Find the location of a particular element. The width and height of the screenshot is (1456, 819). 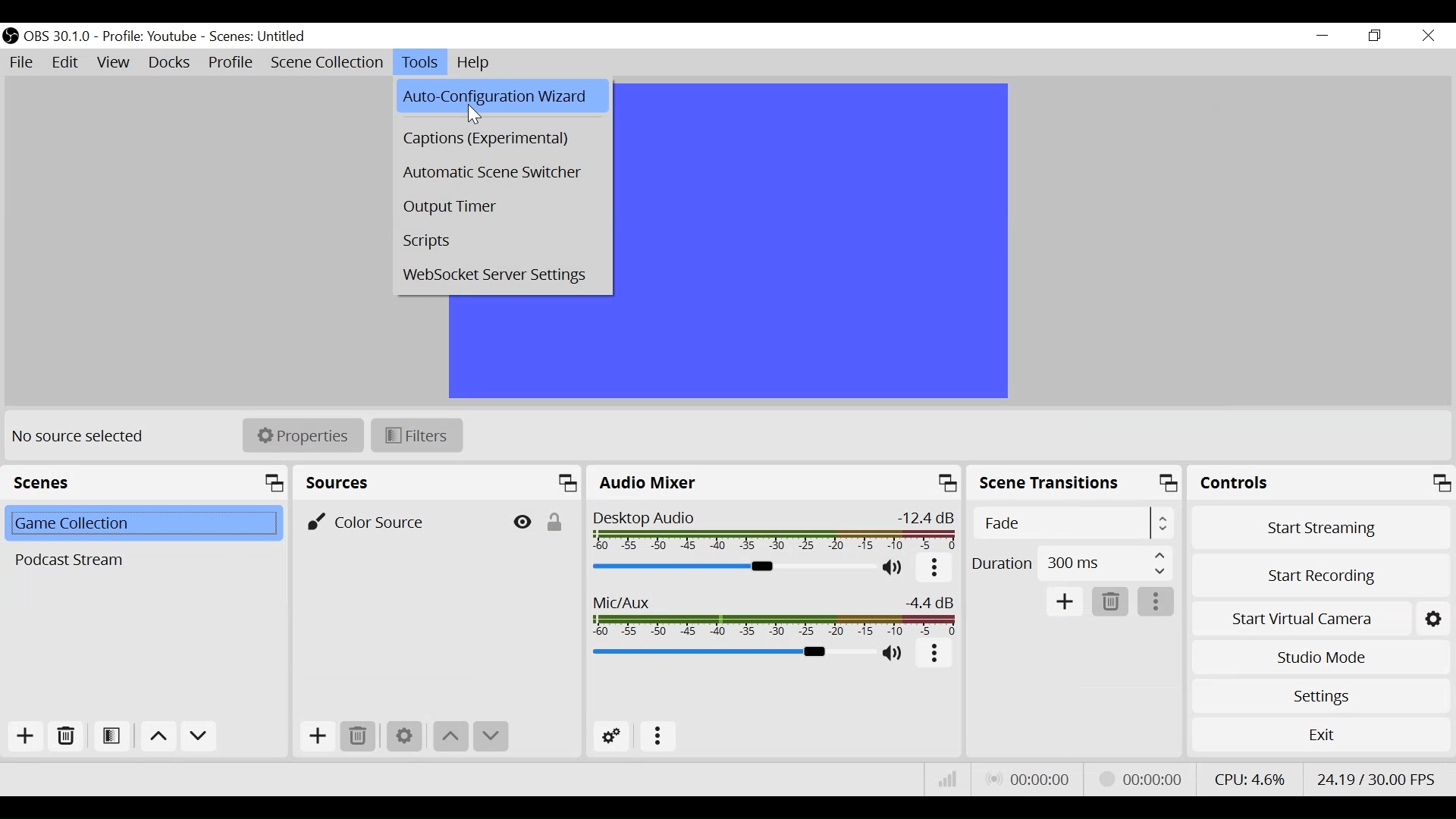

Scene Collection is located at coordinates (326, 63).